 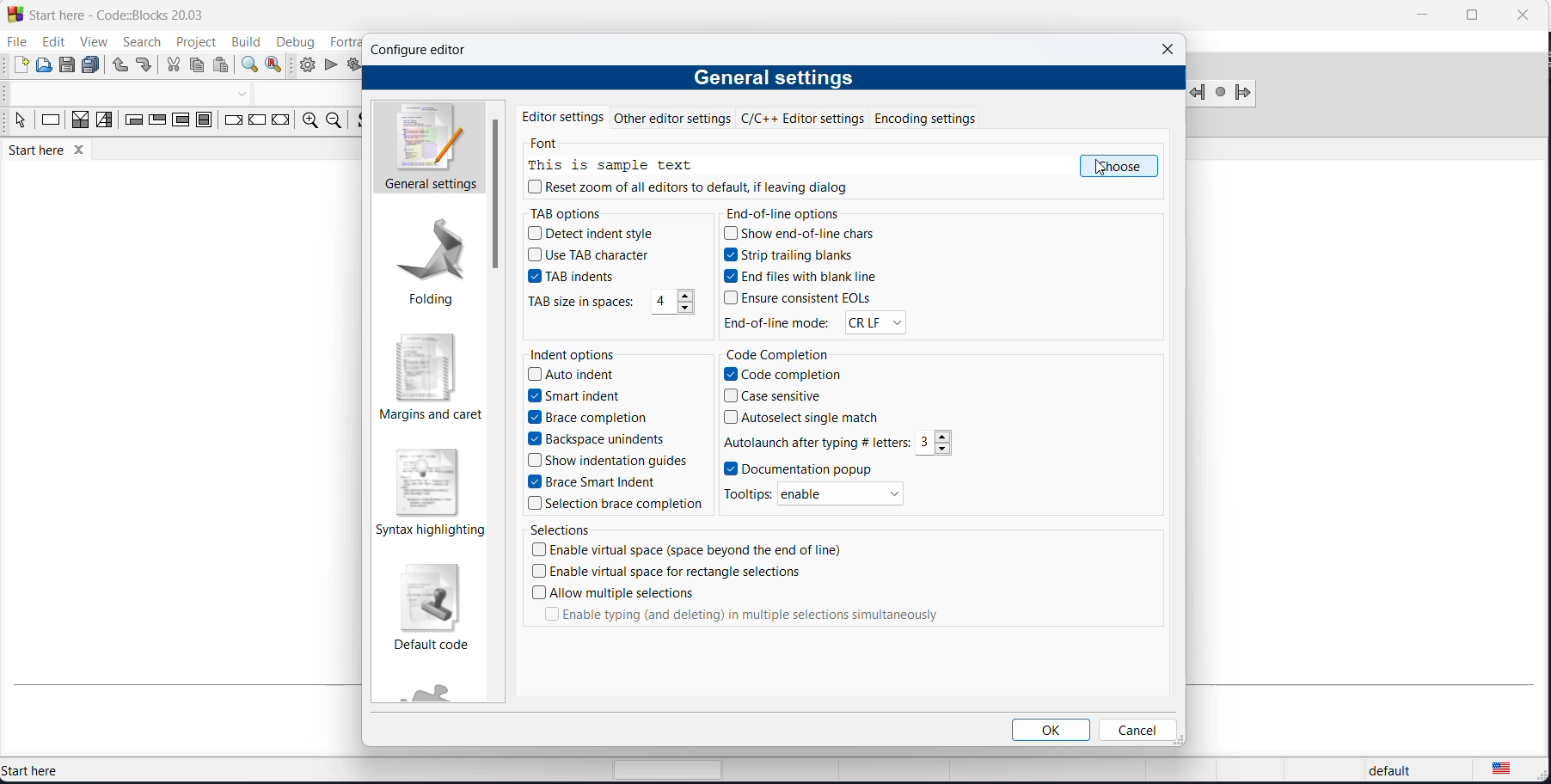 What do you see at coordinates (69, 65) in the screenshot?
I see `save ` at bounding box center [69, 65].